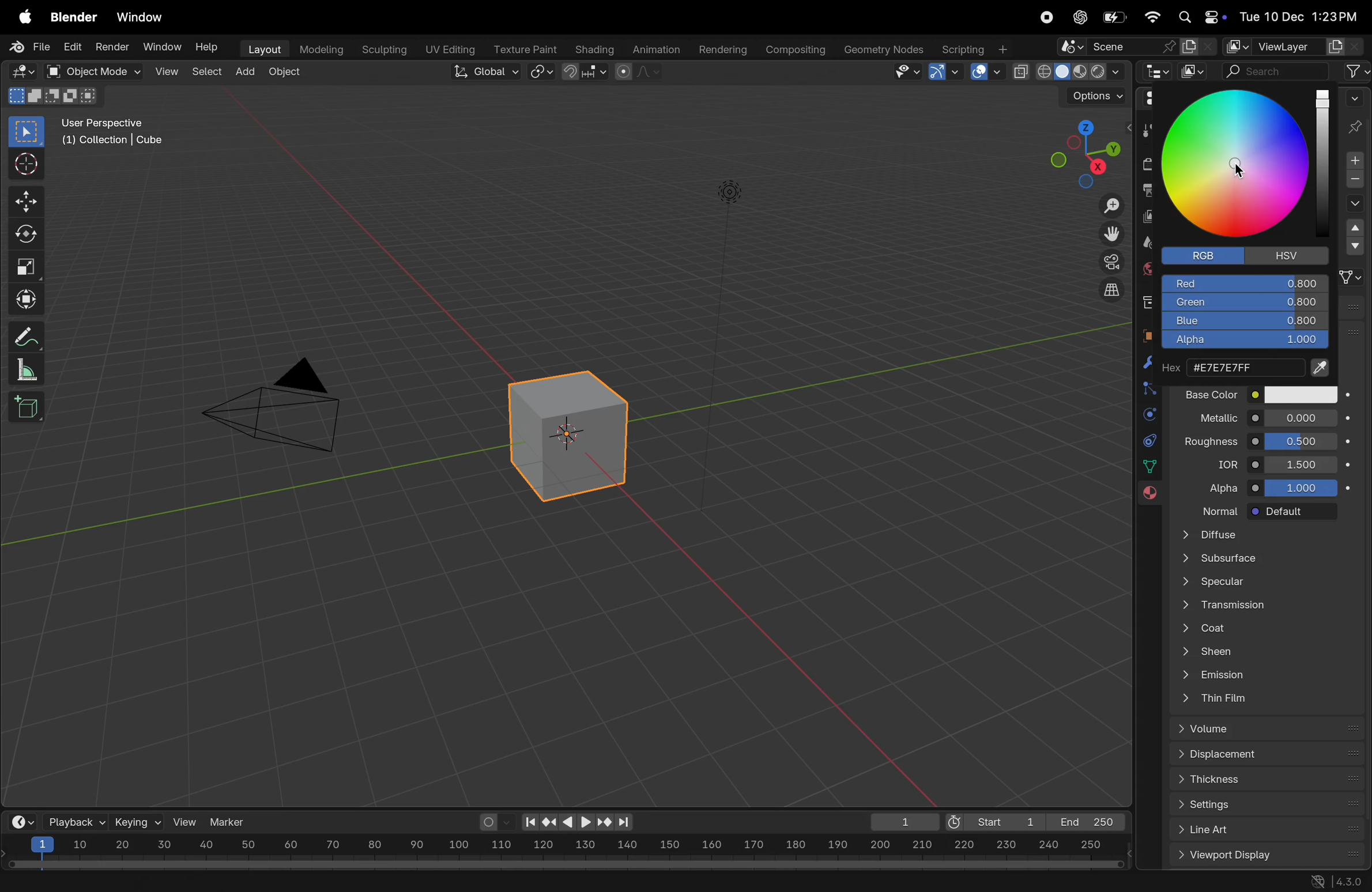  I want to click on scale, so click(24, 263).